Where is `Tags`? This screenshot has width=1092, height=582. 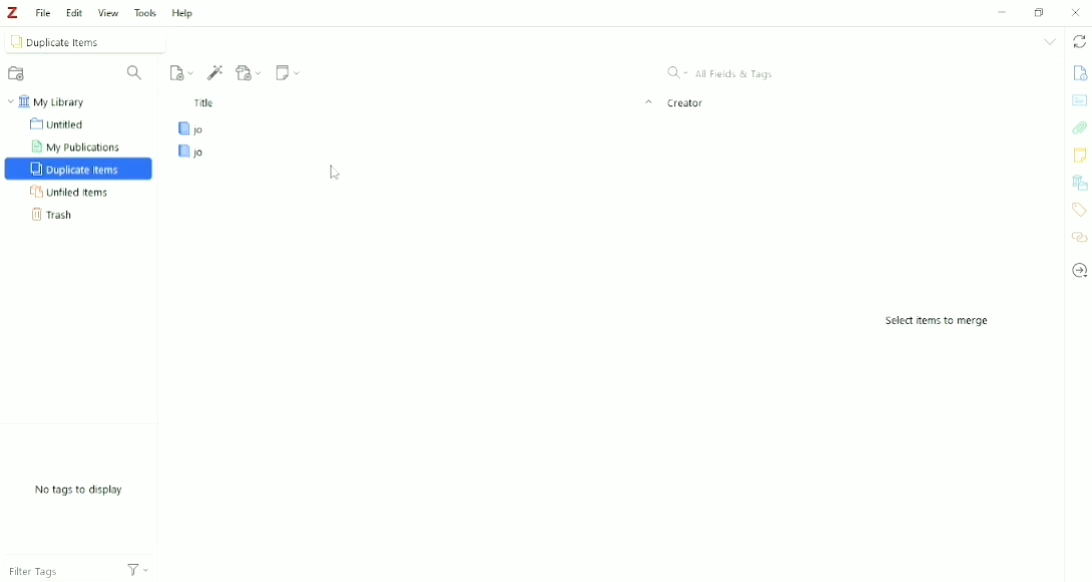 Tags is located at coordinates (1078, 210).